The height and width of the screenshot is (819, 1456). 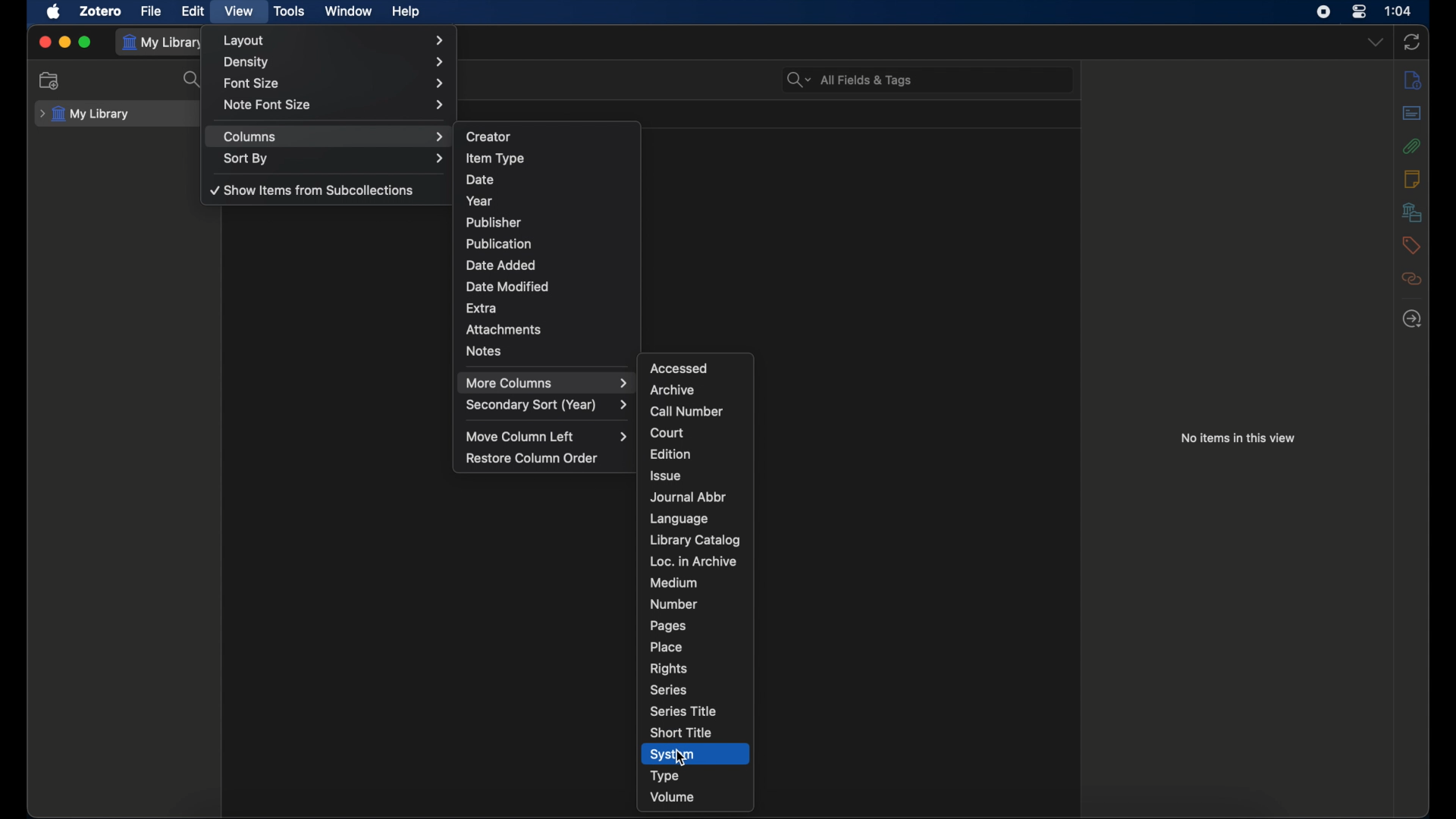 What do you see at coordinates (482, 307) in the screenshot?
I see `extra` at bounding box center [482, 307].